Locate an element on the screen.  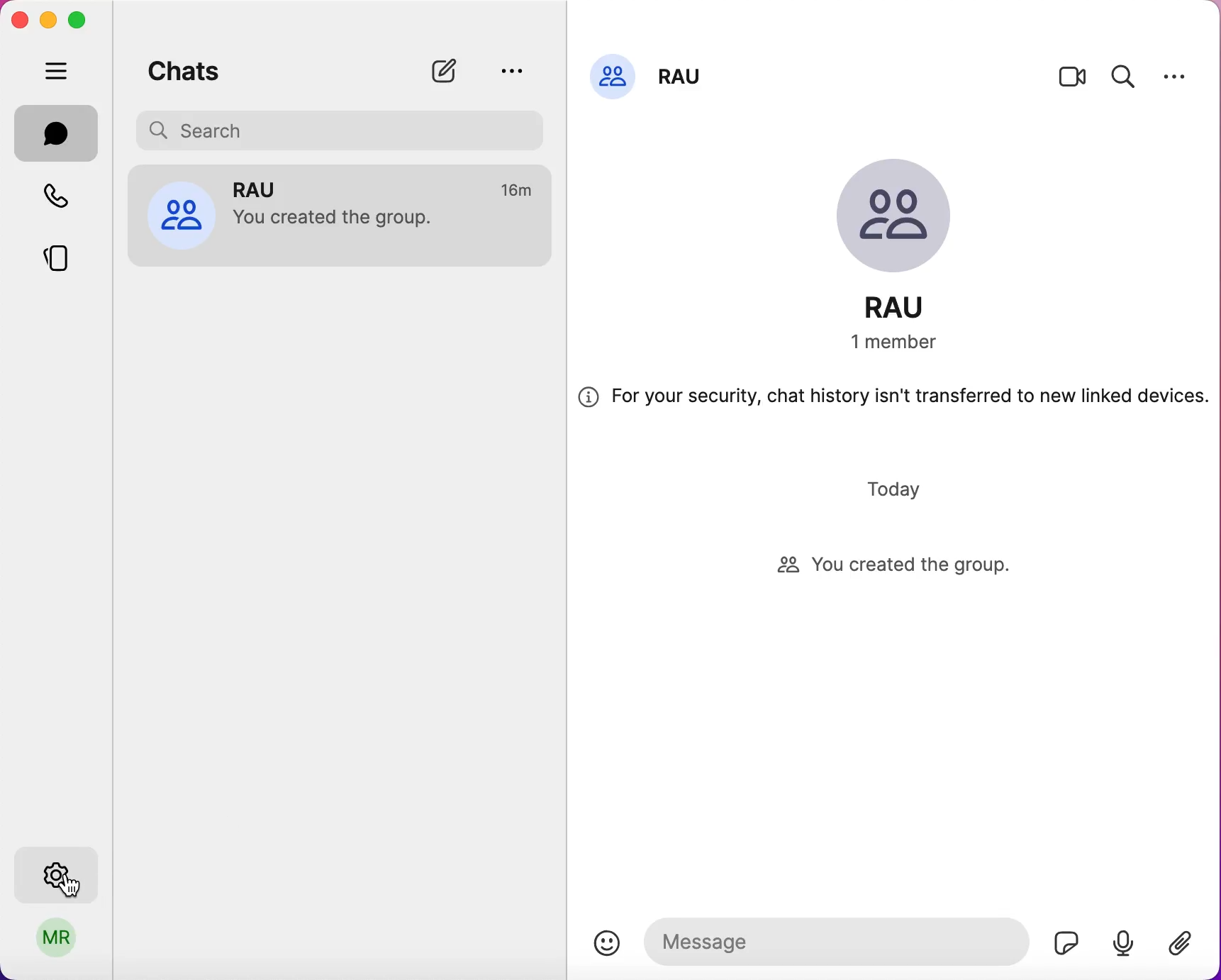
you created the group is located at coordinates (908, 567).